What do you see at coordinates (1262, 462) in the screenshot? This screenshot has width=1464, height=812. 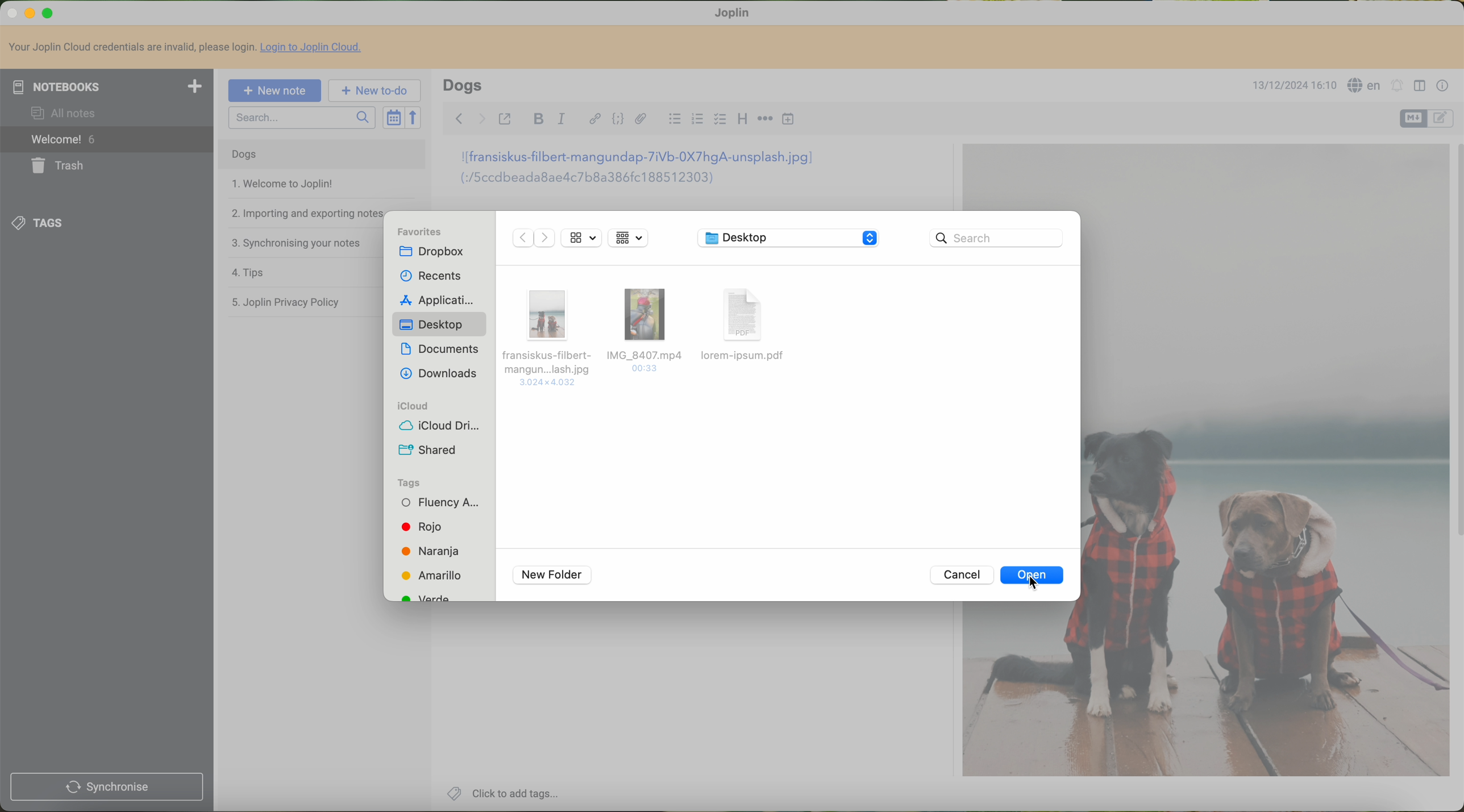 I see `dogs image` at bounding box center [1262, 462].